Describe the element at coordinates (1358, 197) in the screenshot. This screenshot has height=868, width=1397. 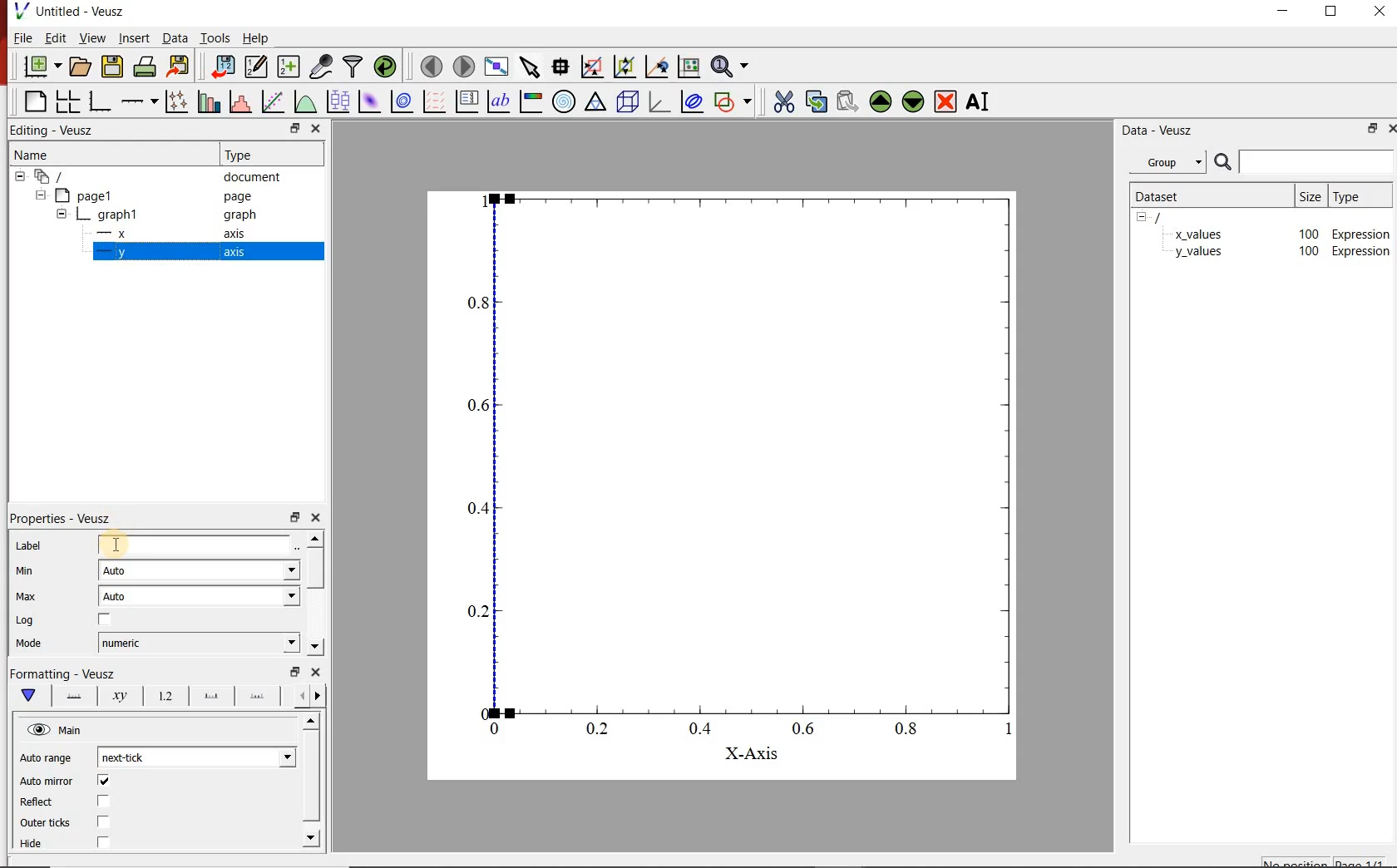
I see `type` at that location.